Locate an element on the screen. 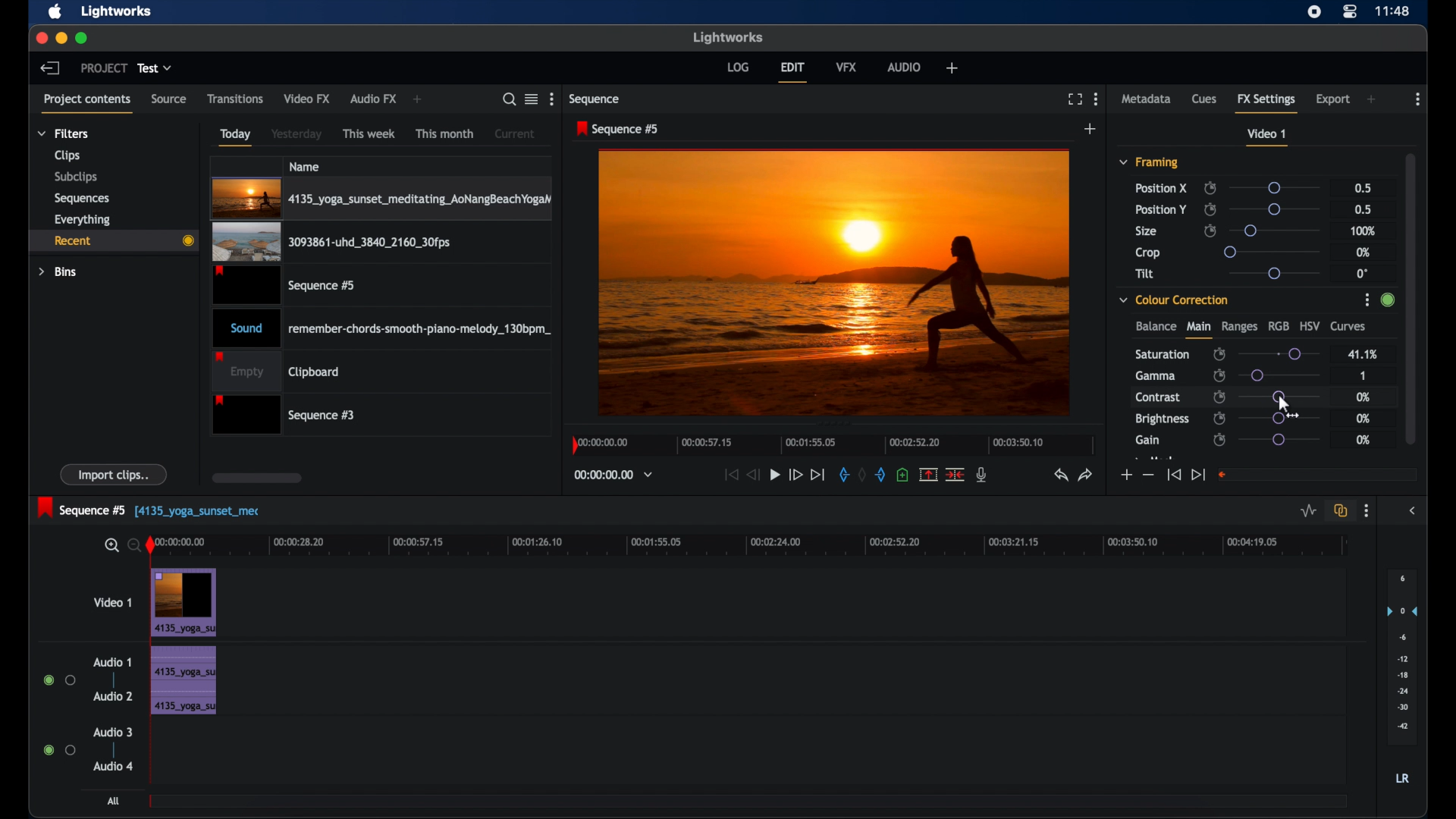 The image size is (1456, 819). slider is located at coordinates (1279, 353).